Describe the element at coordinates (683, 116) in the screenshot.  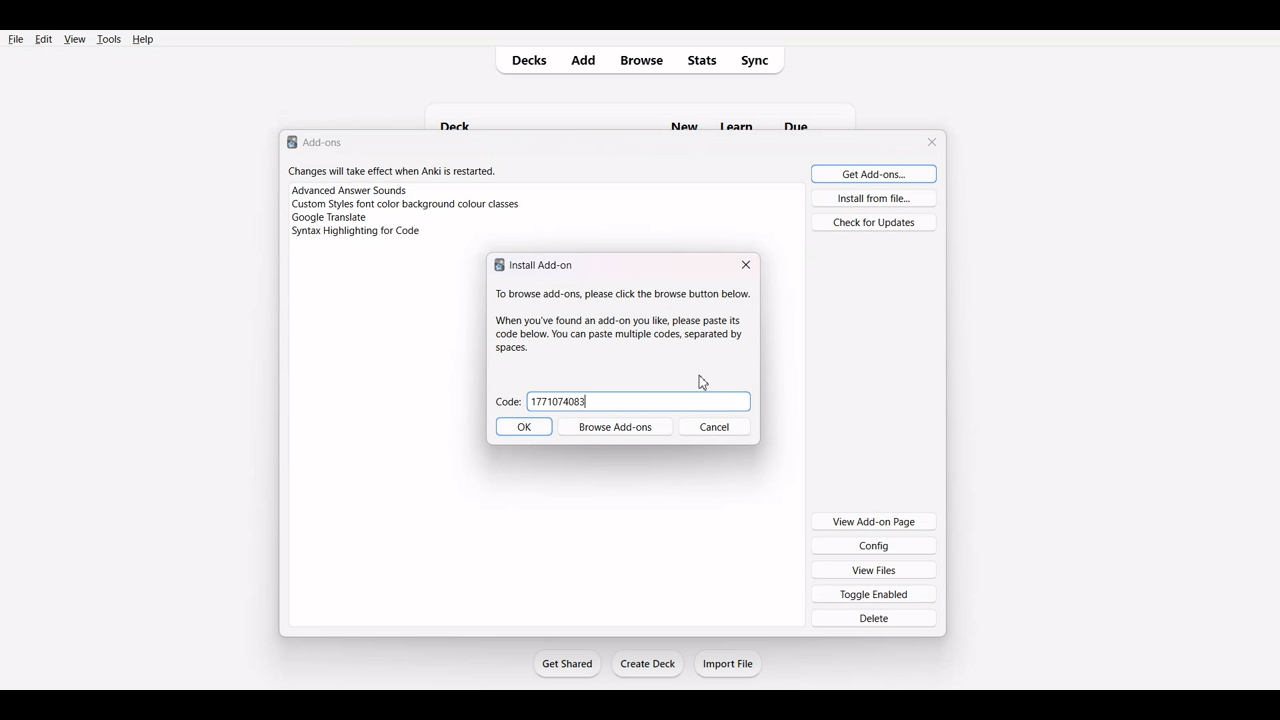
I see `new` at that location.